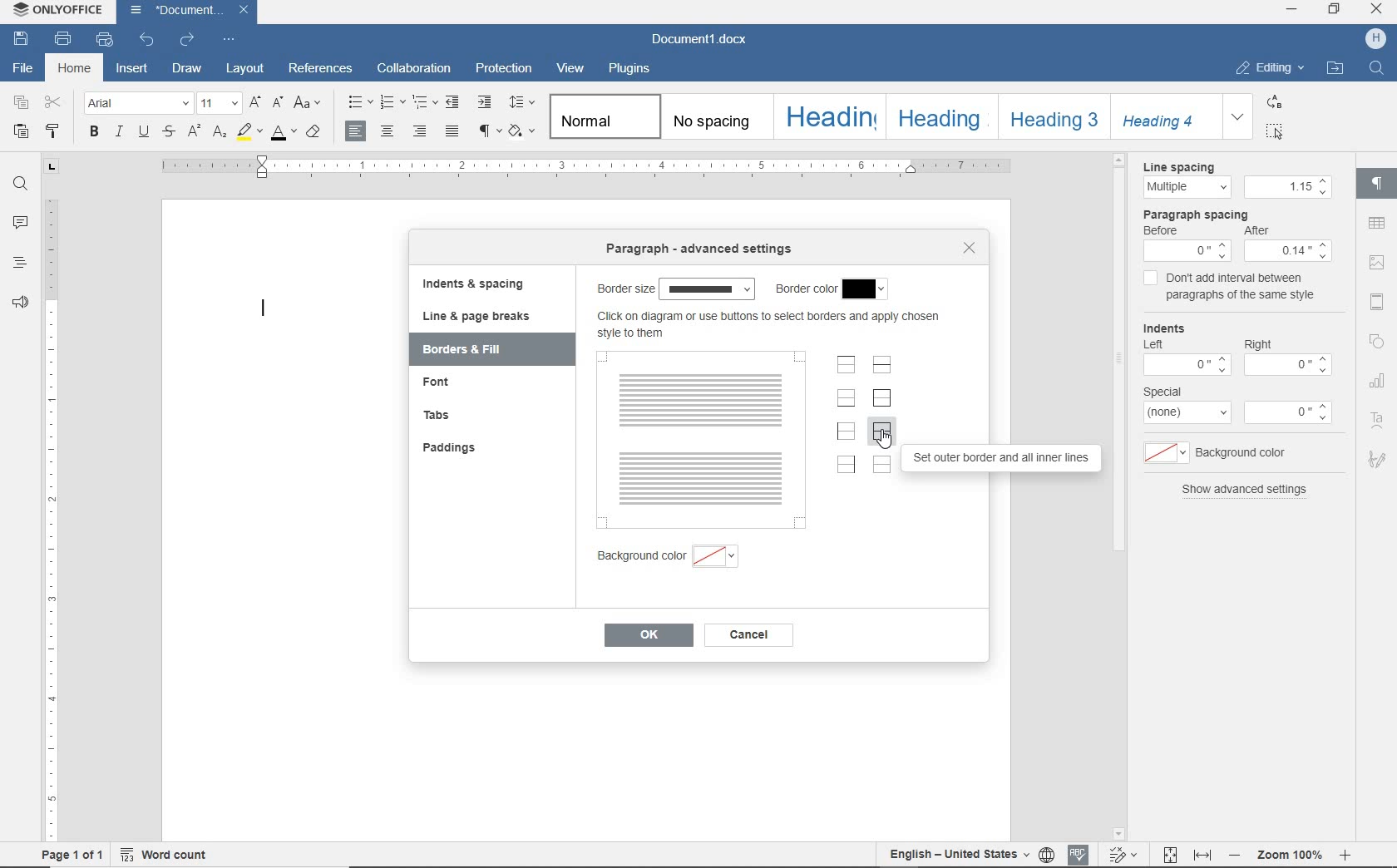 The width and height of the screenshot is (1397, 868). What do you see at coordinates (685, 558) in the screenshot?
I see `background color` at bounding box center [685, 558].